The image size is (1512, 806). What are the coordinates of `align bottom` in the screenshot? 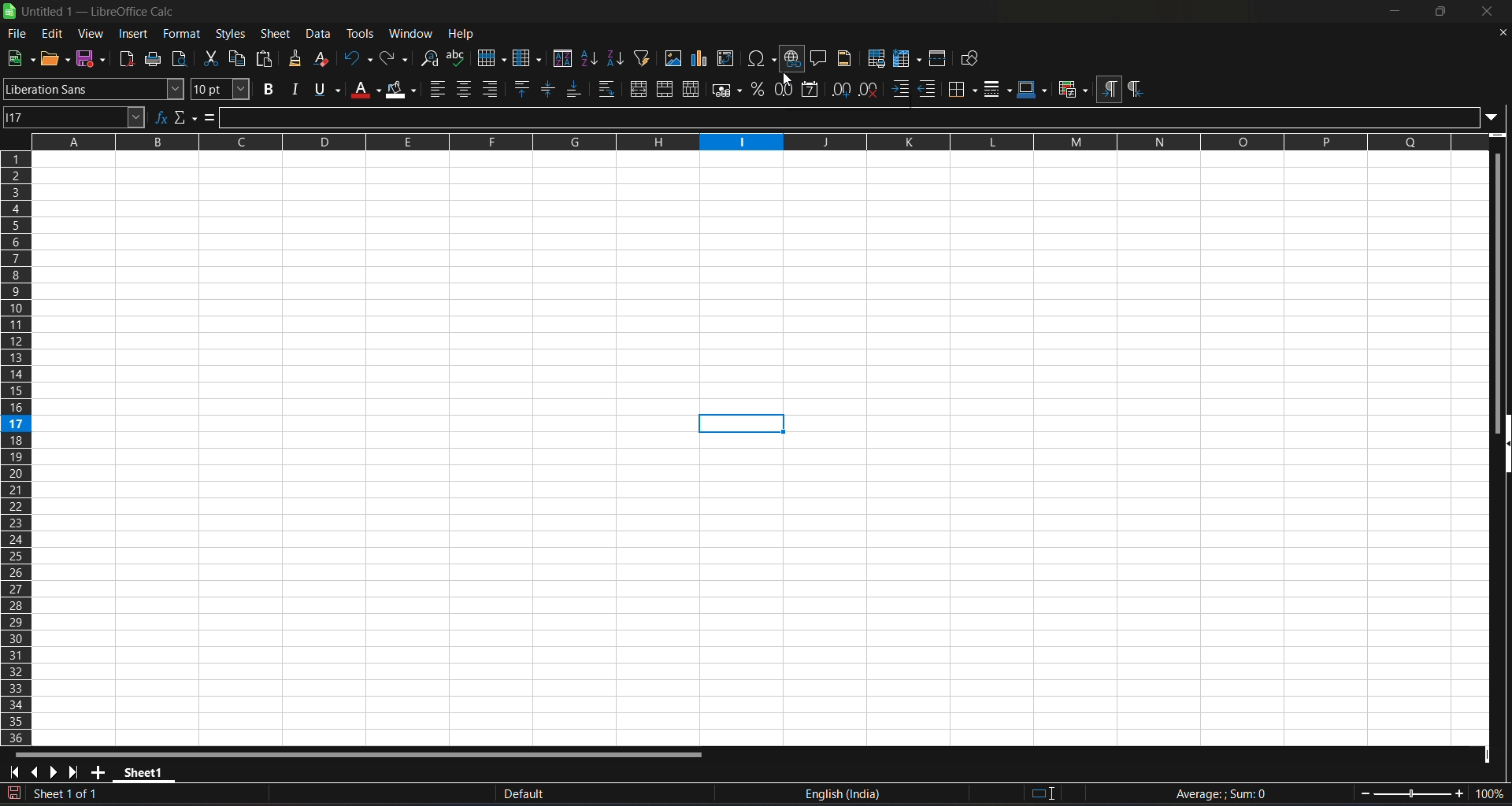 It's located at (574, 89).